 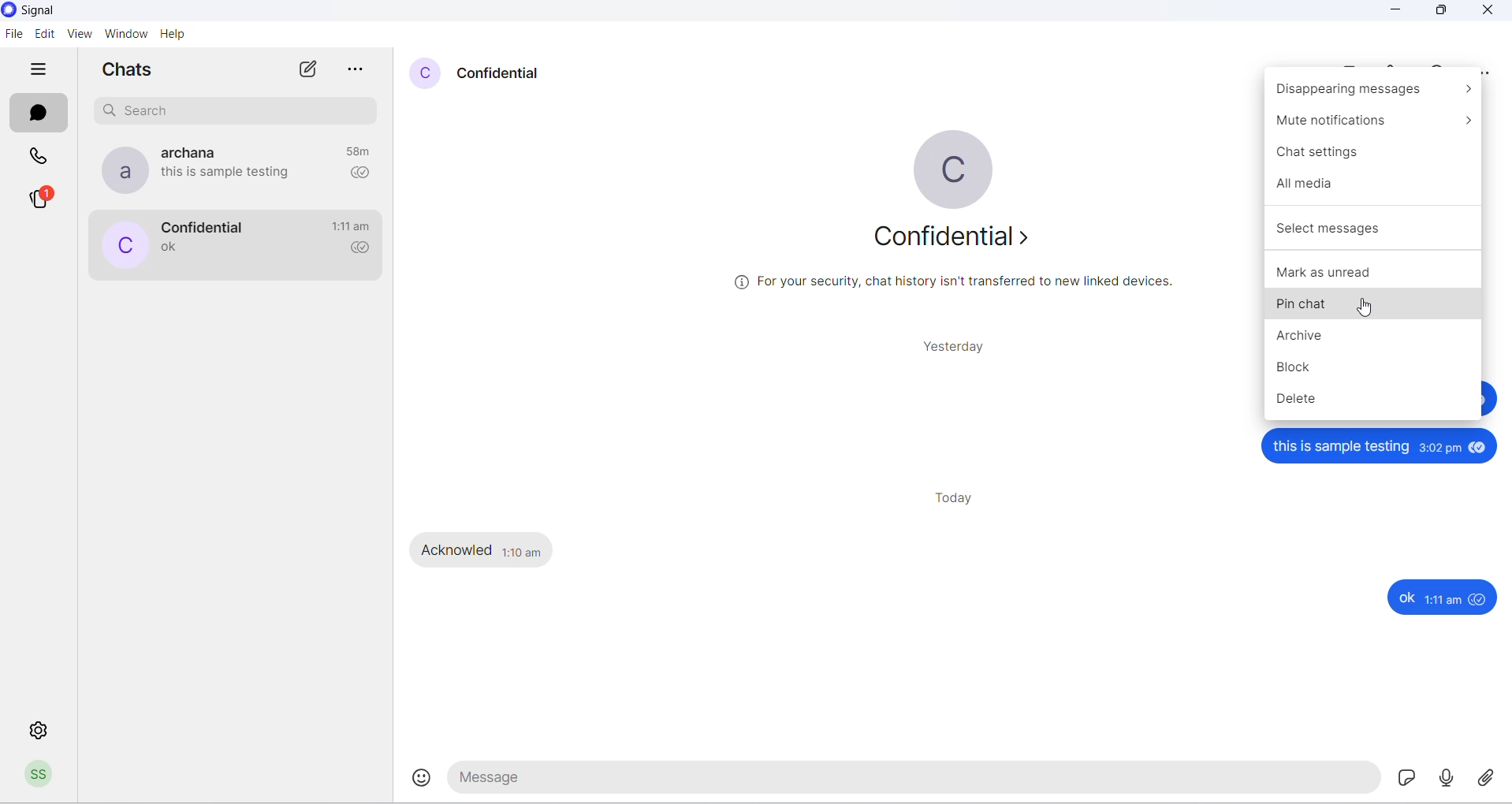 What do you see at coordinates (132, 71) in the screenshot?
I see `chats heading` at bounding box center [132, 71].